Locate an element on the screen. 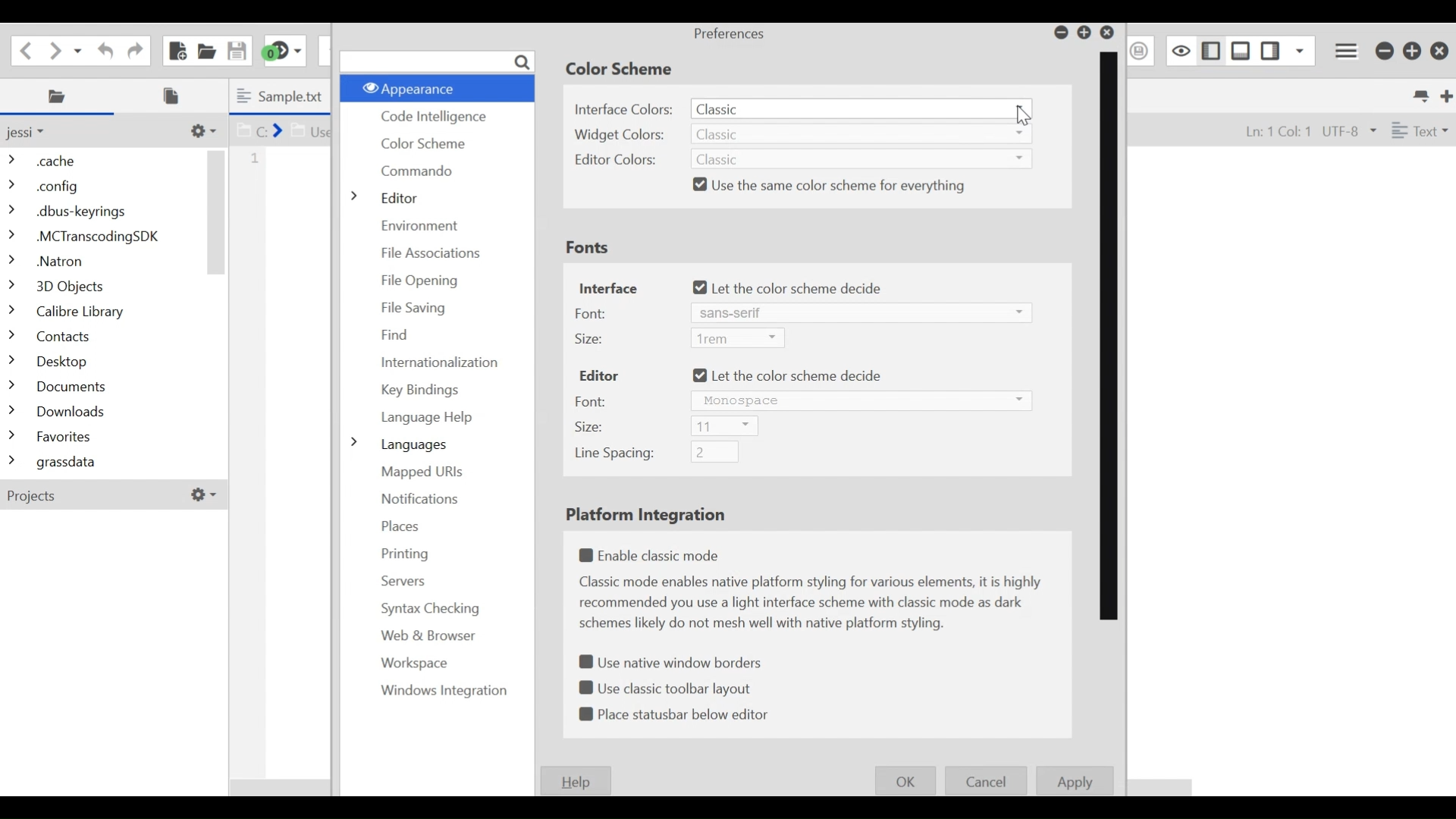  Close is located at coordinates (1110, 33).